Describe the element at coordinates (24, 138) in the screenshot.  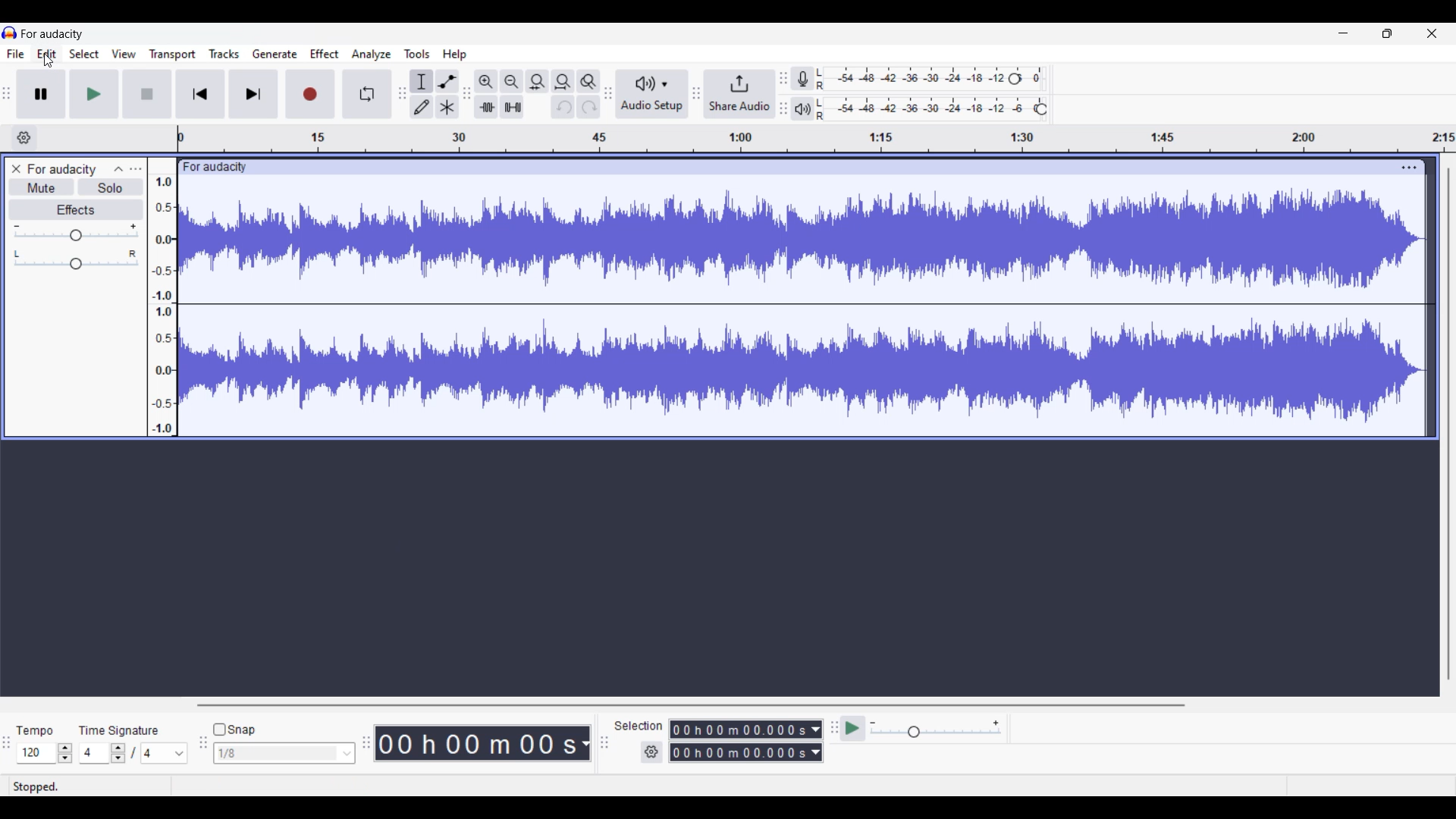
I see `Timeline options` at that location.